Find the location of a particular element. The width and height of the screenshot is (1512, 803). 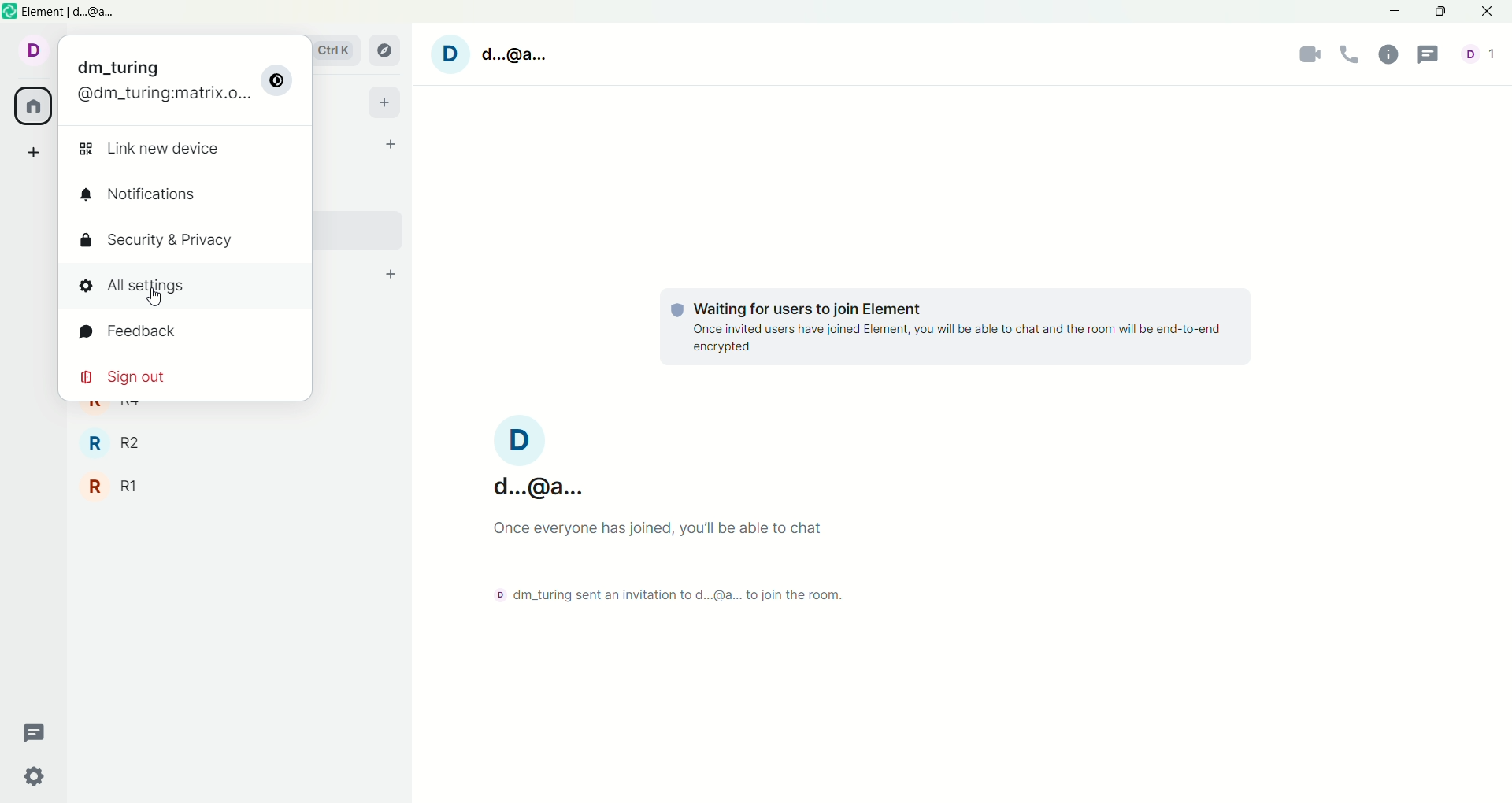

© dm_turing sent an invitation to d...@a... to join the room. is located at coordinates (663, 594).